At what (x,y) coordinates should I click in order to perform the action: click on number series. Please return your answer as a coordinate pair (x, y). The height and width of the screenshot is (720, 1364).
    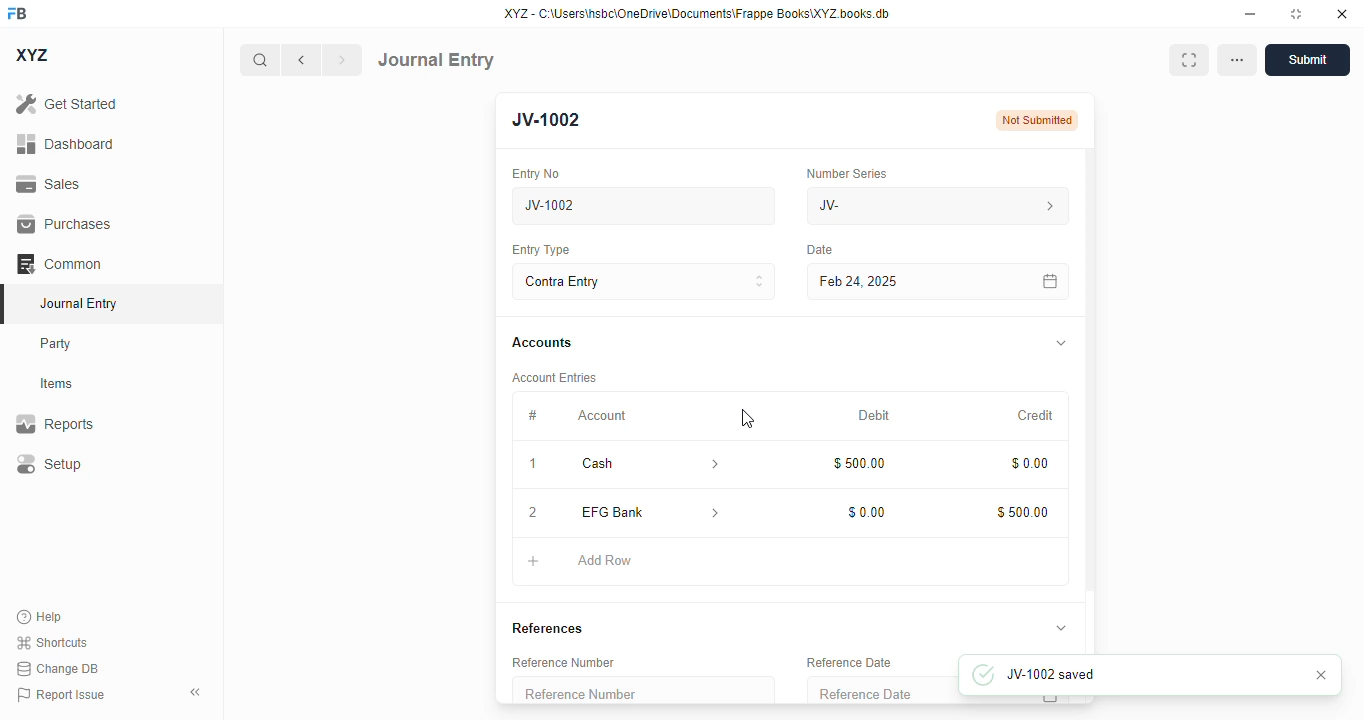
    Looking at the image, I should click on (849, 173).